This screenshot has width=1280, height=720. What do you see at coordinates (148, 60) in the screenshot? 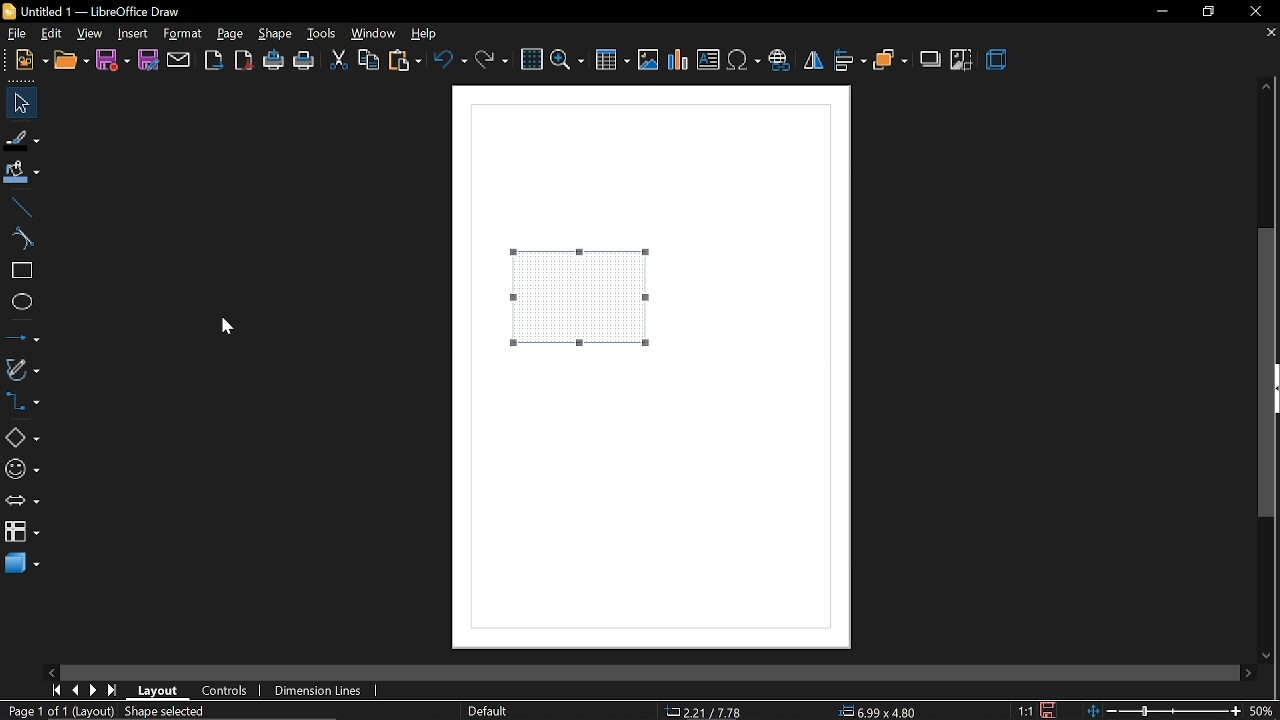
I see `save as` at bounding box center [148, 60].